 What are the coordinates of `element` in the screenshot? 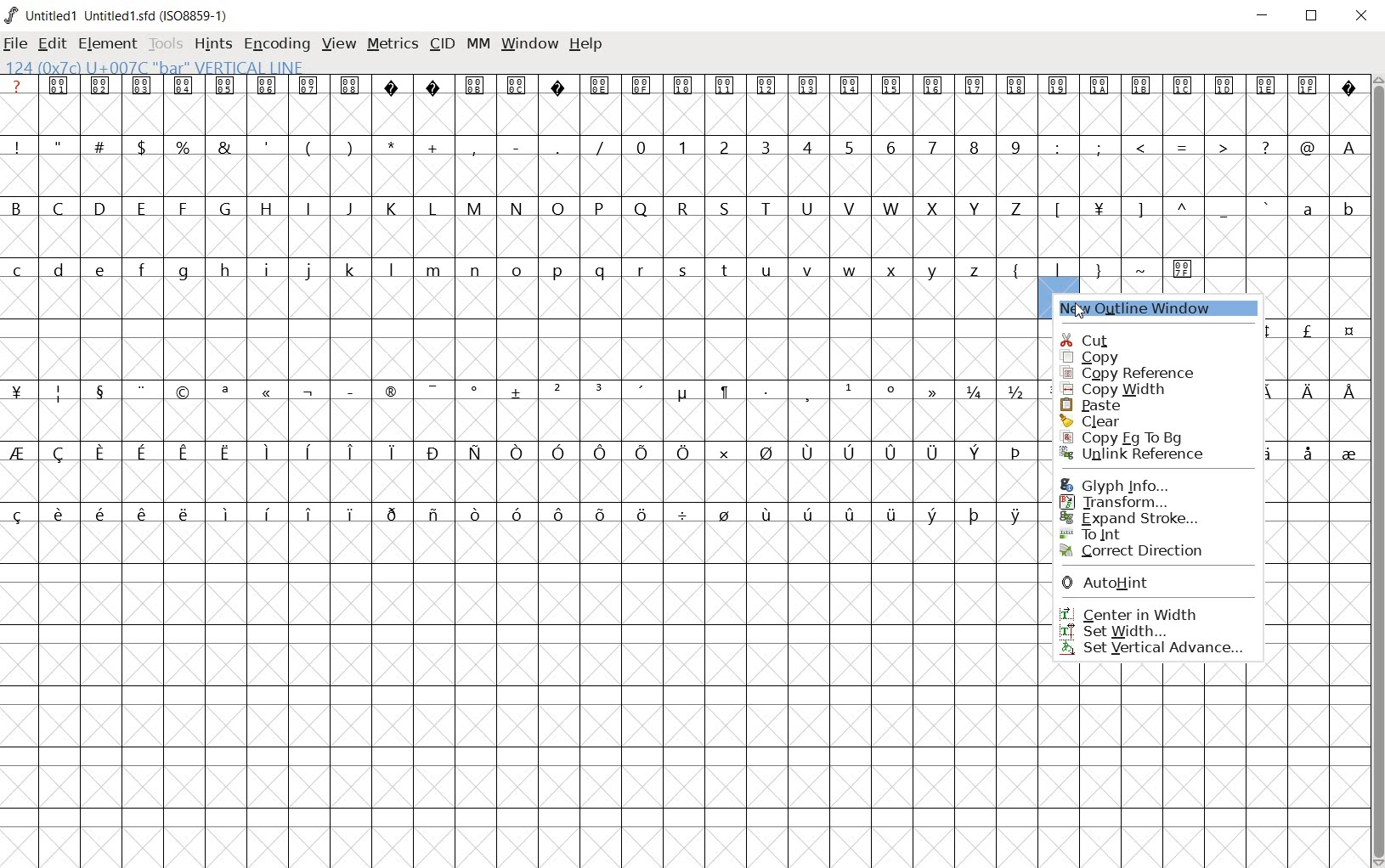 It's located at (107, 44).